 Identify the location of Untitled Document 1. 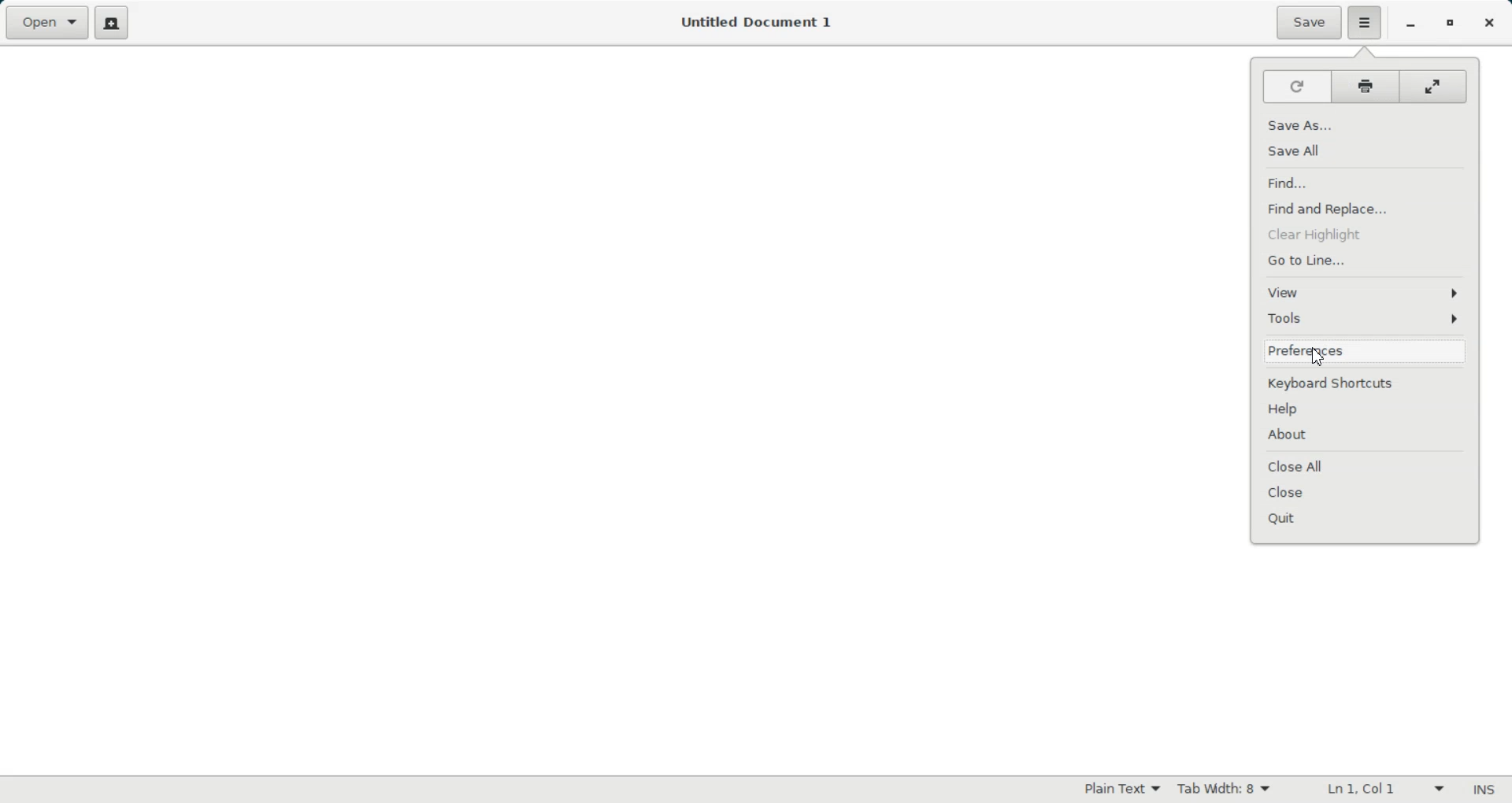
(753, 22).